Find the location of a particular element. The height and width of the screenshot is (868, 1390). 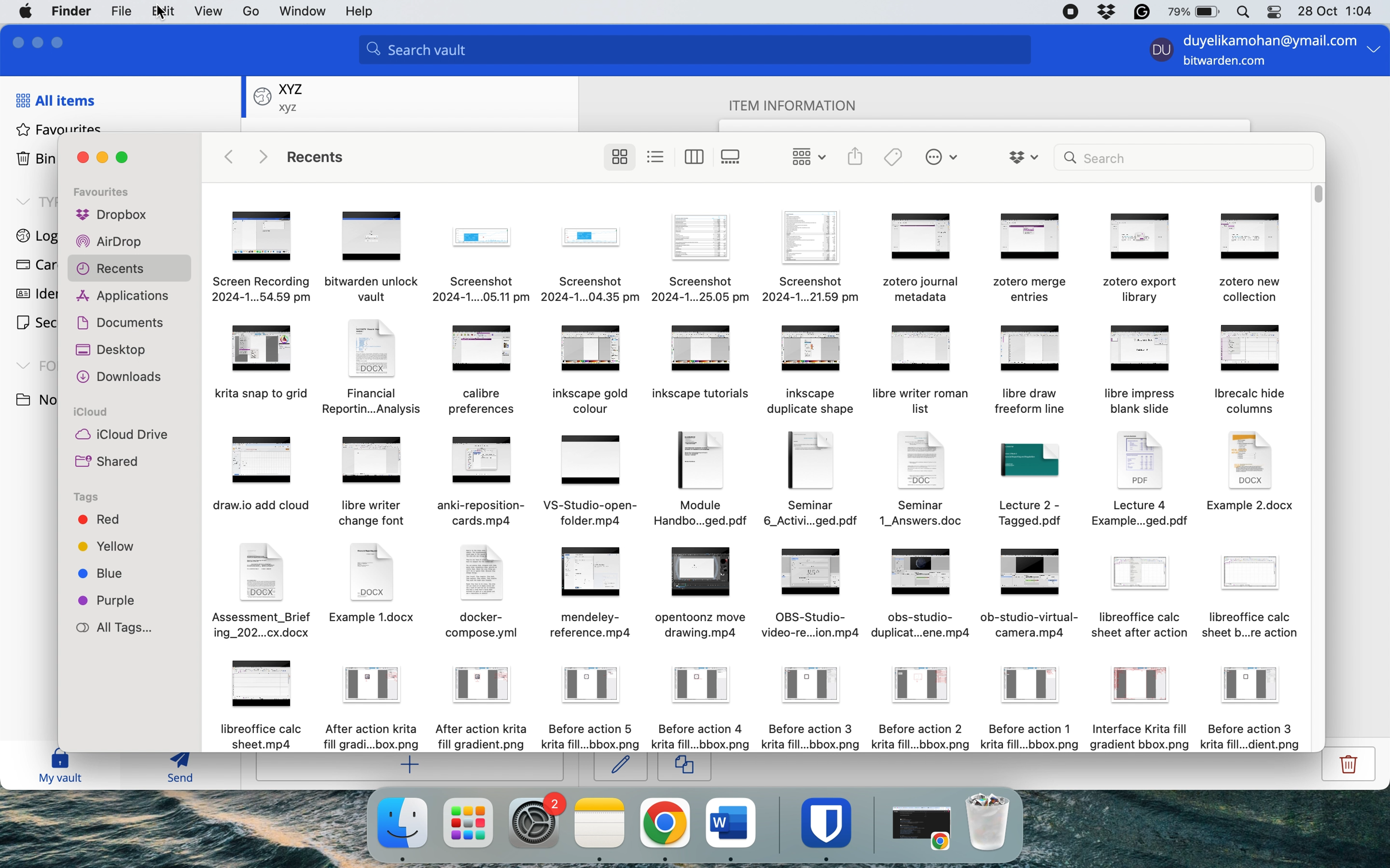

user profile is located at coordinates (1158, 52).